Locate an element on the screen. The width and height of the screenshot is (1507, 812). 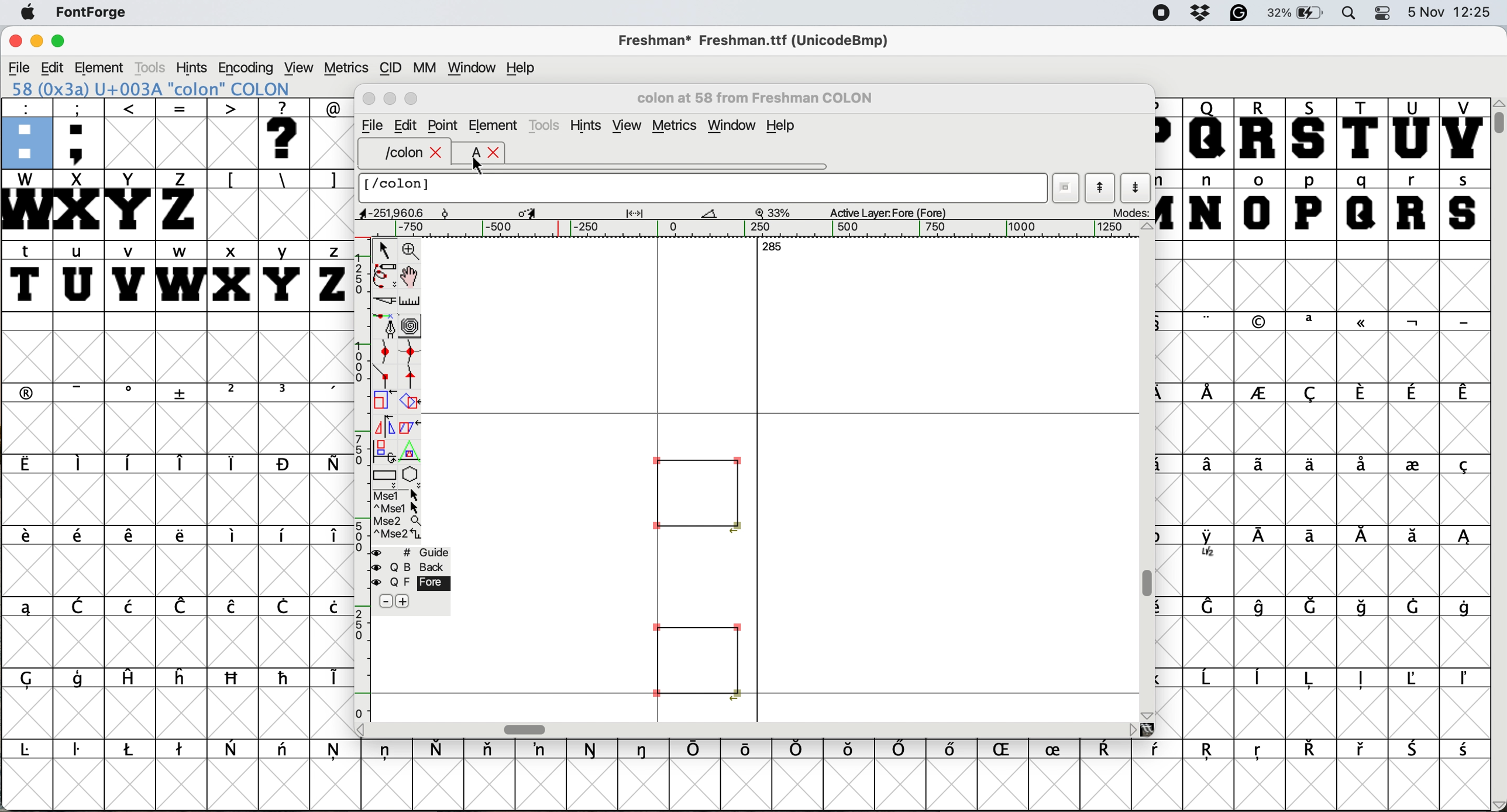
symbol is located at coordinates (26, 607).